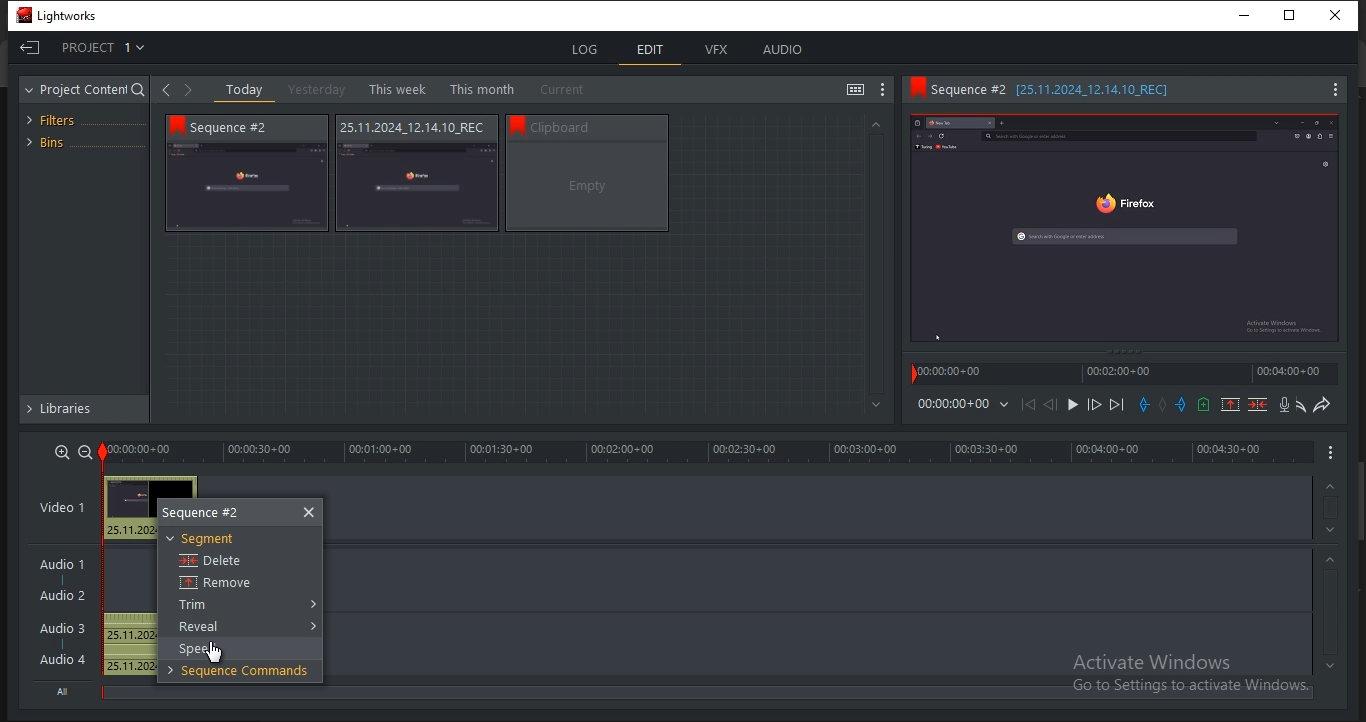 This screenshot has height=722, width=1366. I want to click on filters, so click(60, 118).